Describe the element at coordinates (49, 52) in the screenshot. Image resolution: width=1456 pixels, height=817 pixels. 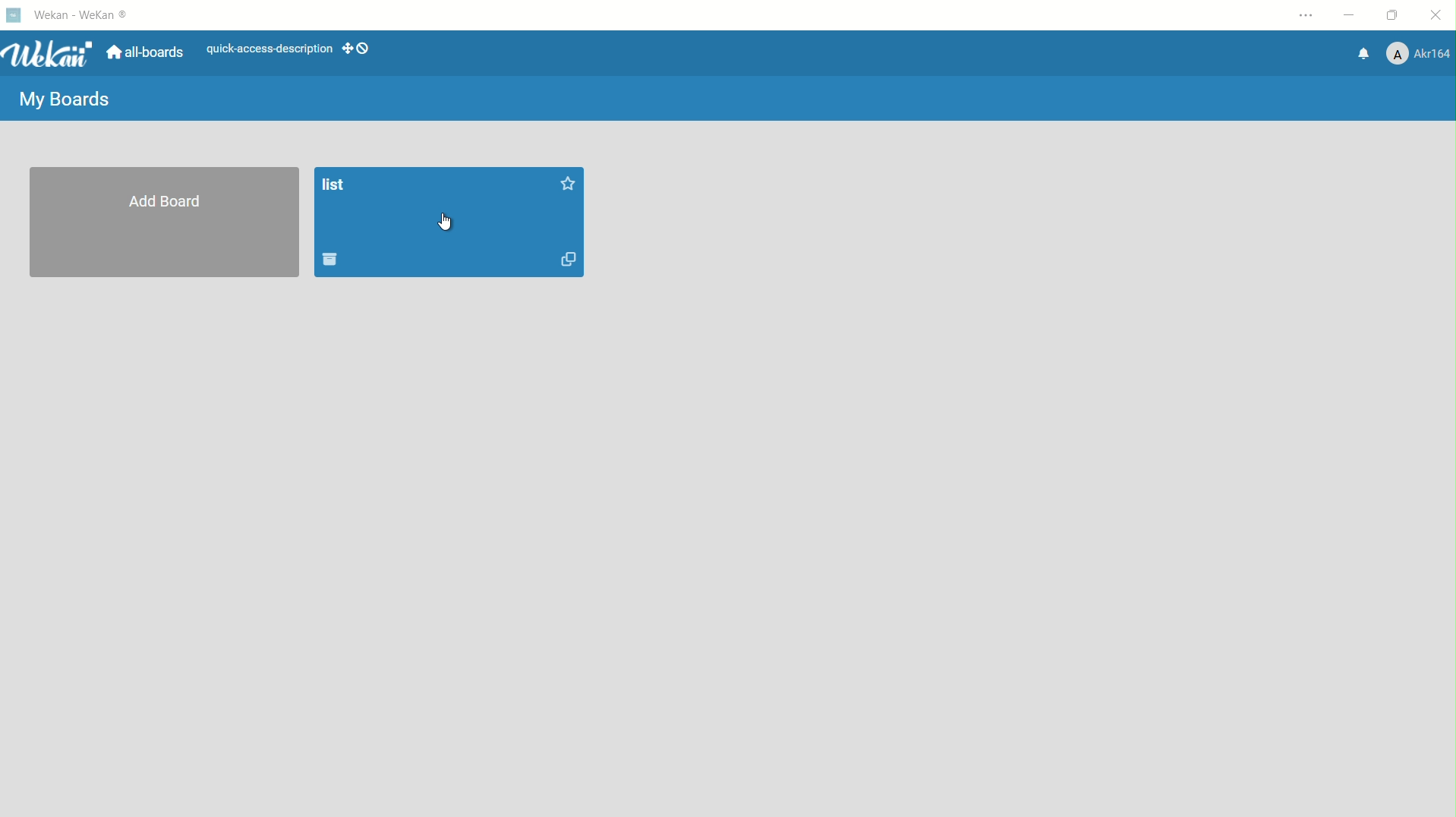
I see `app logo` at that location.